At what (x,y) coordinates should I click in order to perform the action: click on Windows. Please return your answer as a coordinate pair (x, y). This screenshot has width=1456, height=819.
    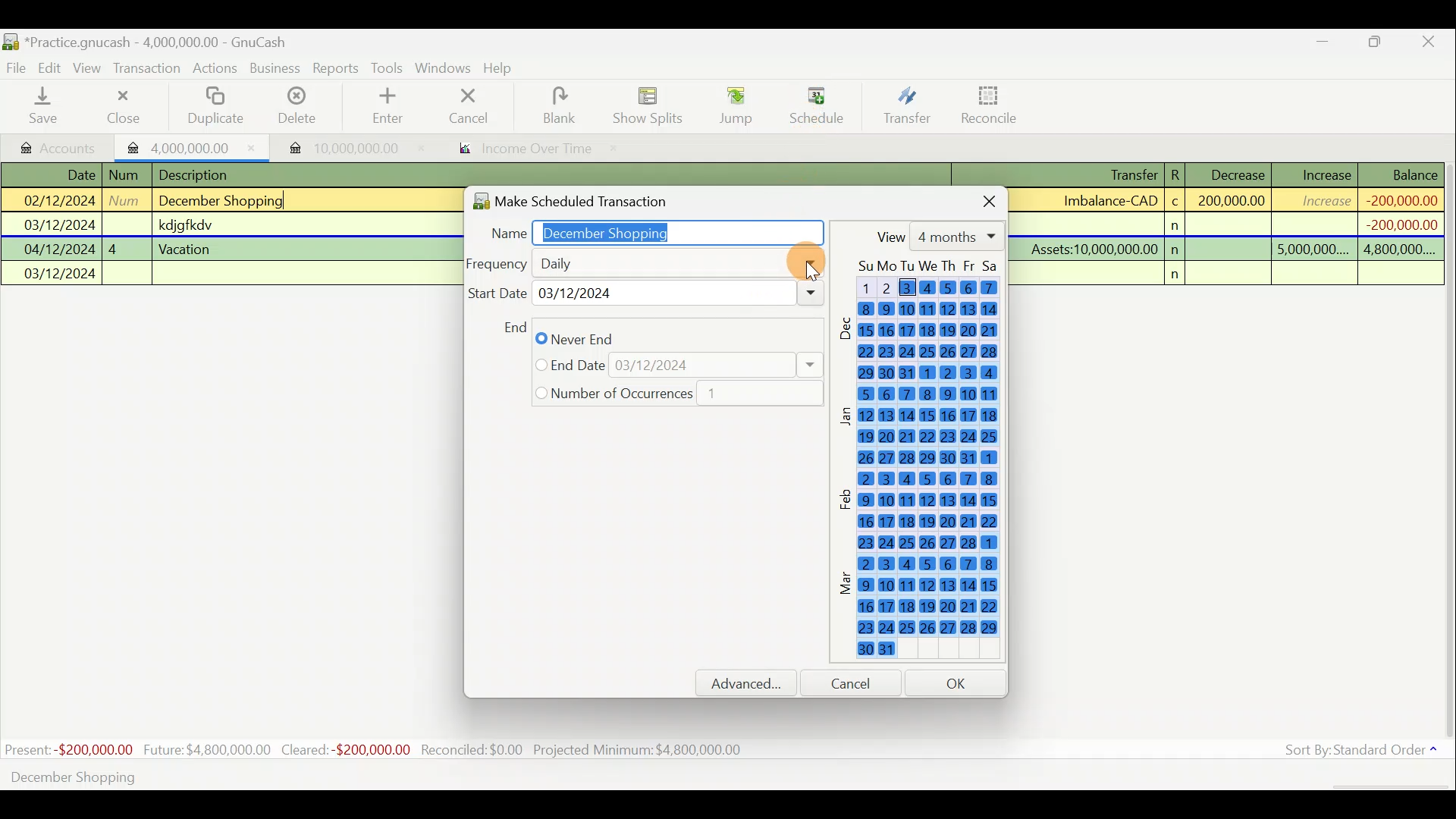
    Looking at the image, I should click on (445, 69).